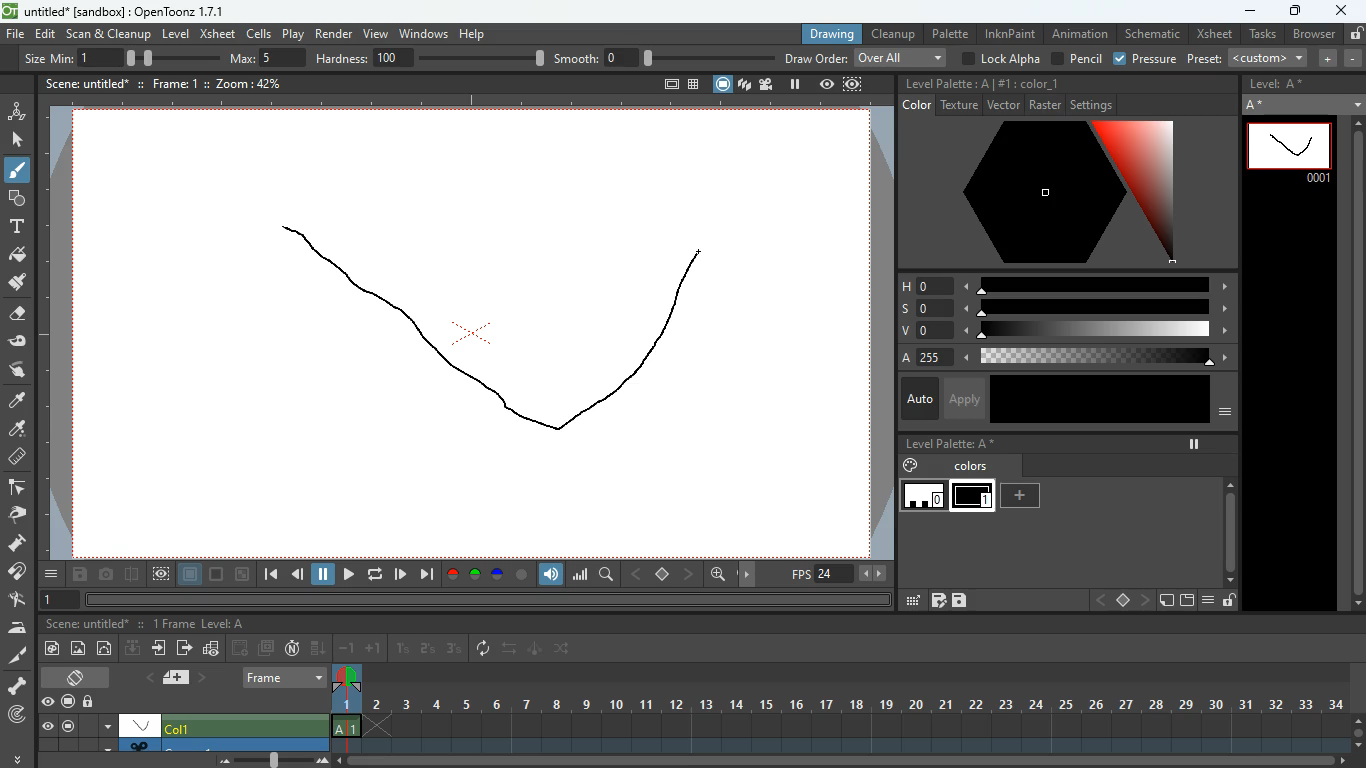  What do you see at coordinates (90, 703) in the screenshot?
I see `unlock` at bounding box center [90, 703].